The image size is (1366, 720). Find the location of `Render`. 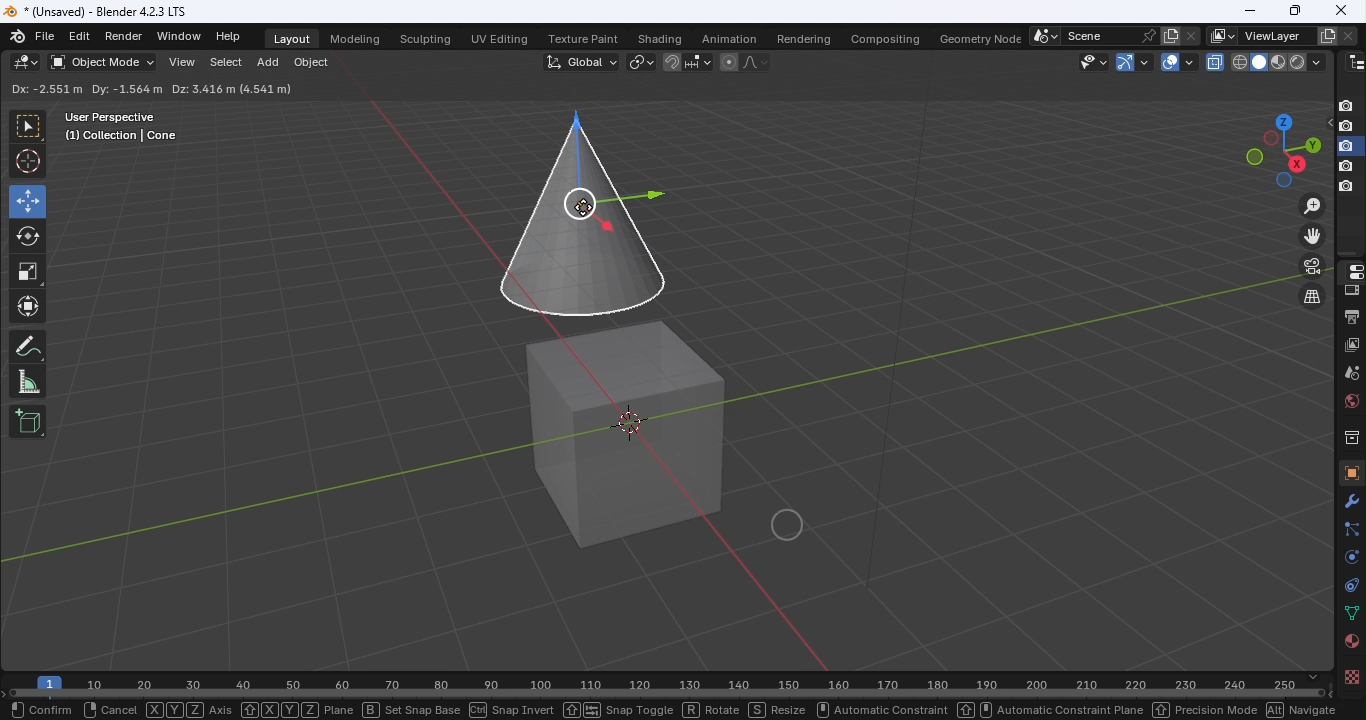

Render is located at coordinates (127, 36).